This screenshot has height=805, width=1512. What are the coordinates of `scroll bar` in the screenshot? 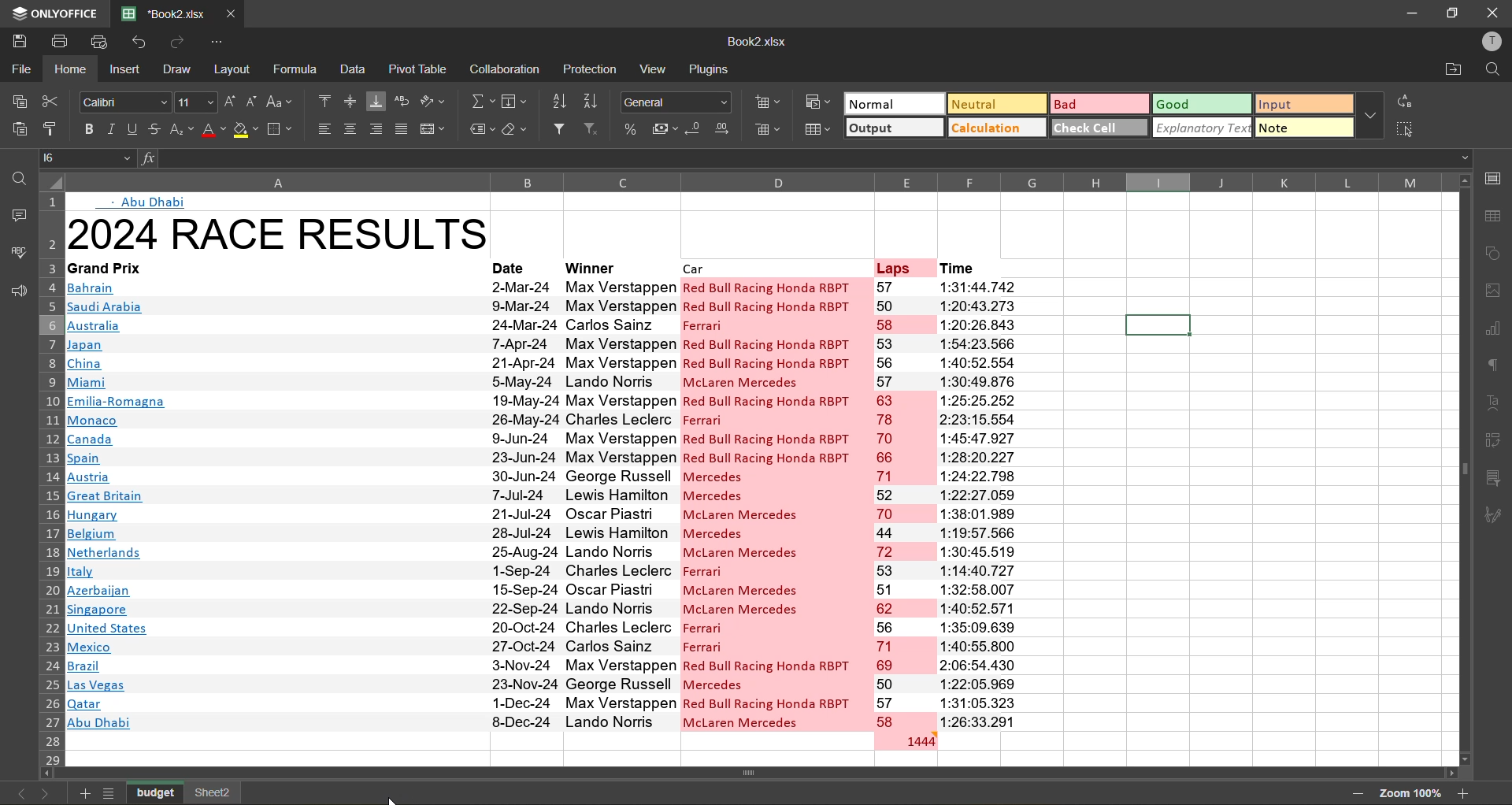 It's located at (1460, 412).